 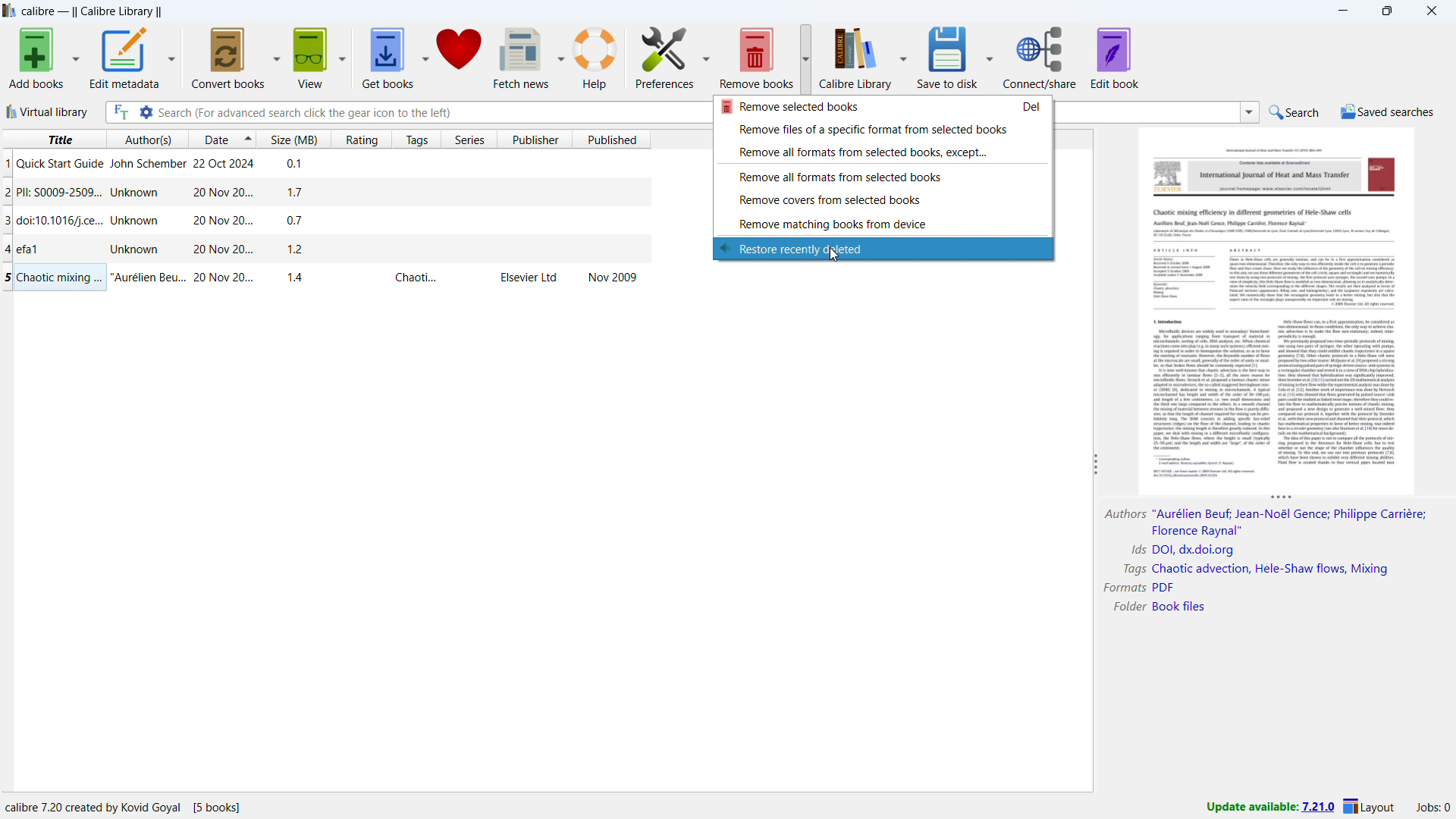 I want to click on close, so click(x=1430, y=11).